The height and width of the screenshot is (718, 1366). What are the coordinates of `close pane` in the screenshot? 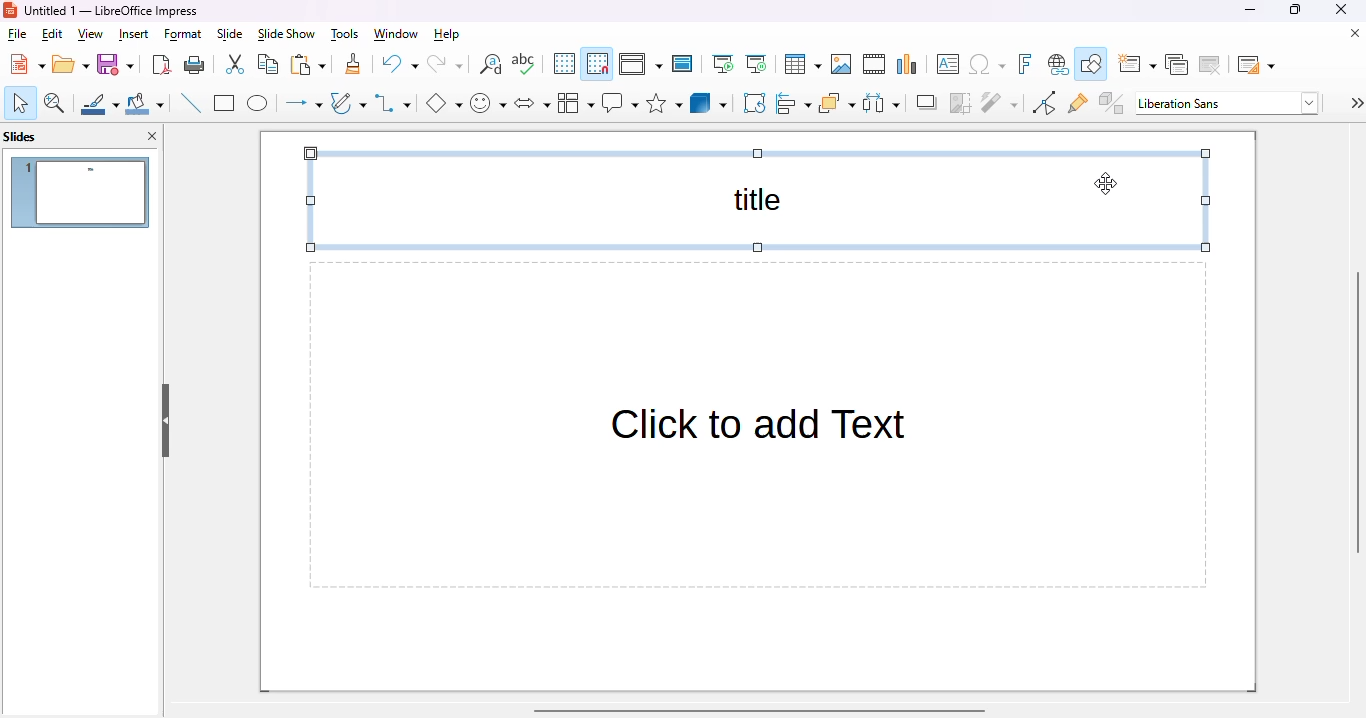 It's located at (153, 135).